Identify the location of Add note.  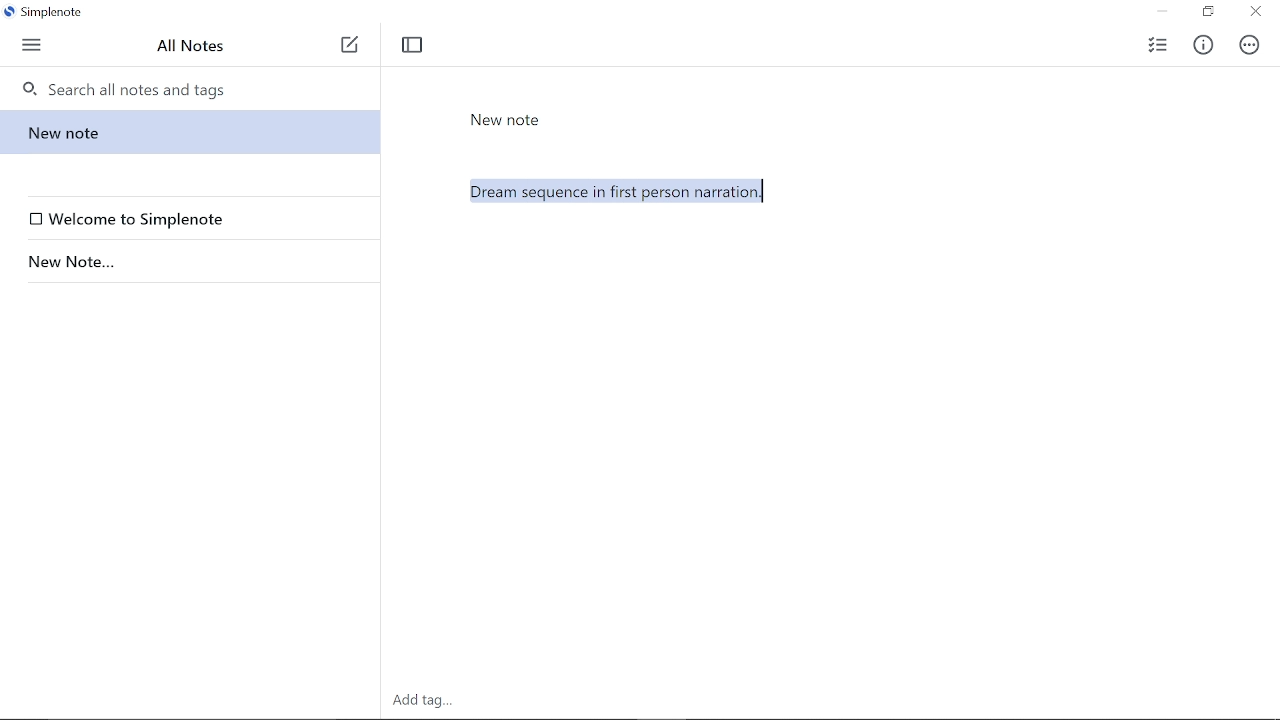
(350, 45).